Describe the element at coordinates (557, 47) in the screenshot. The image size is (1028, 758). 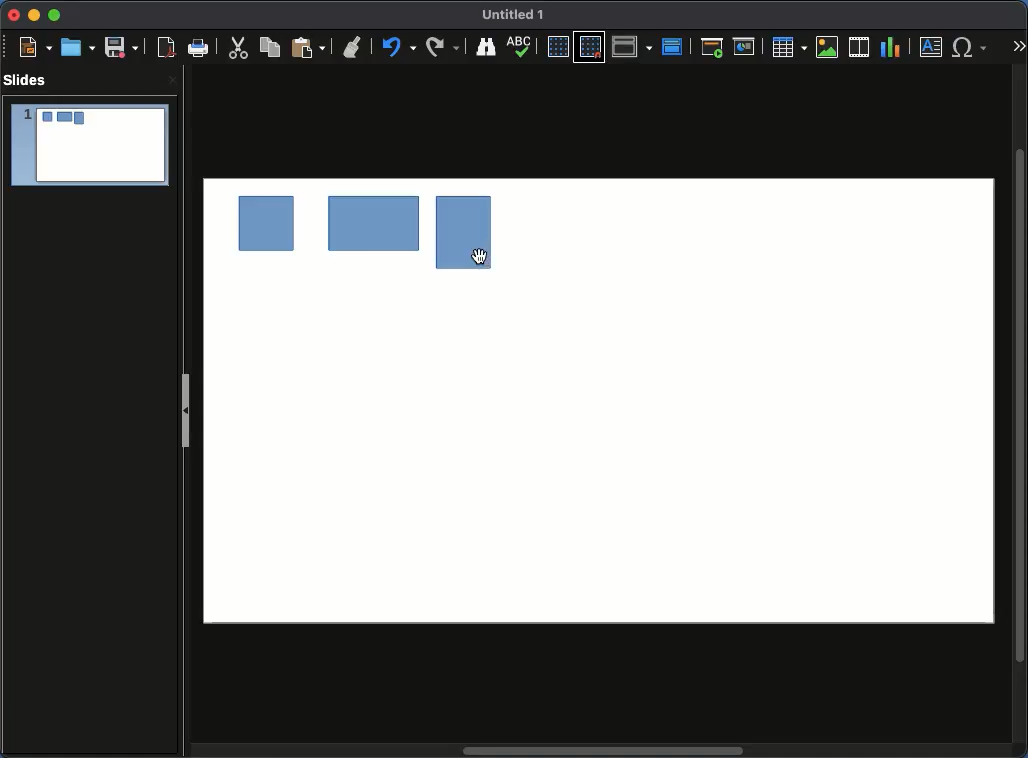
I see `Display grid` at that location.